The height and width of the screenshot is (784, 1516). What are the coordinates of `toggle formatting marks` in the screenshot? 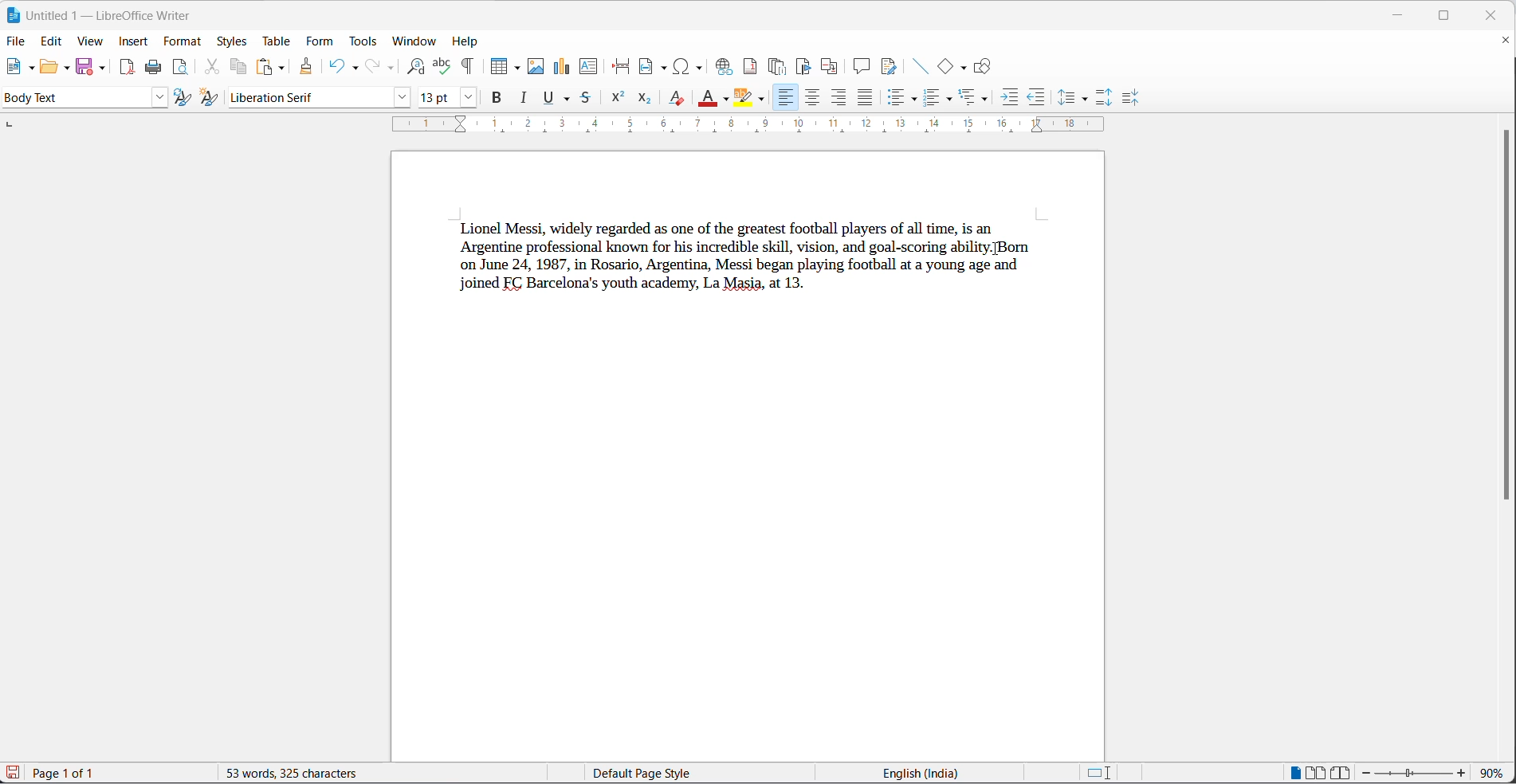 It's located at (464, 67).